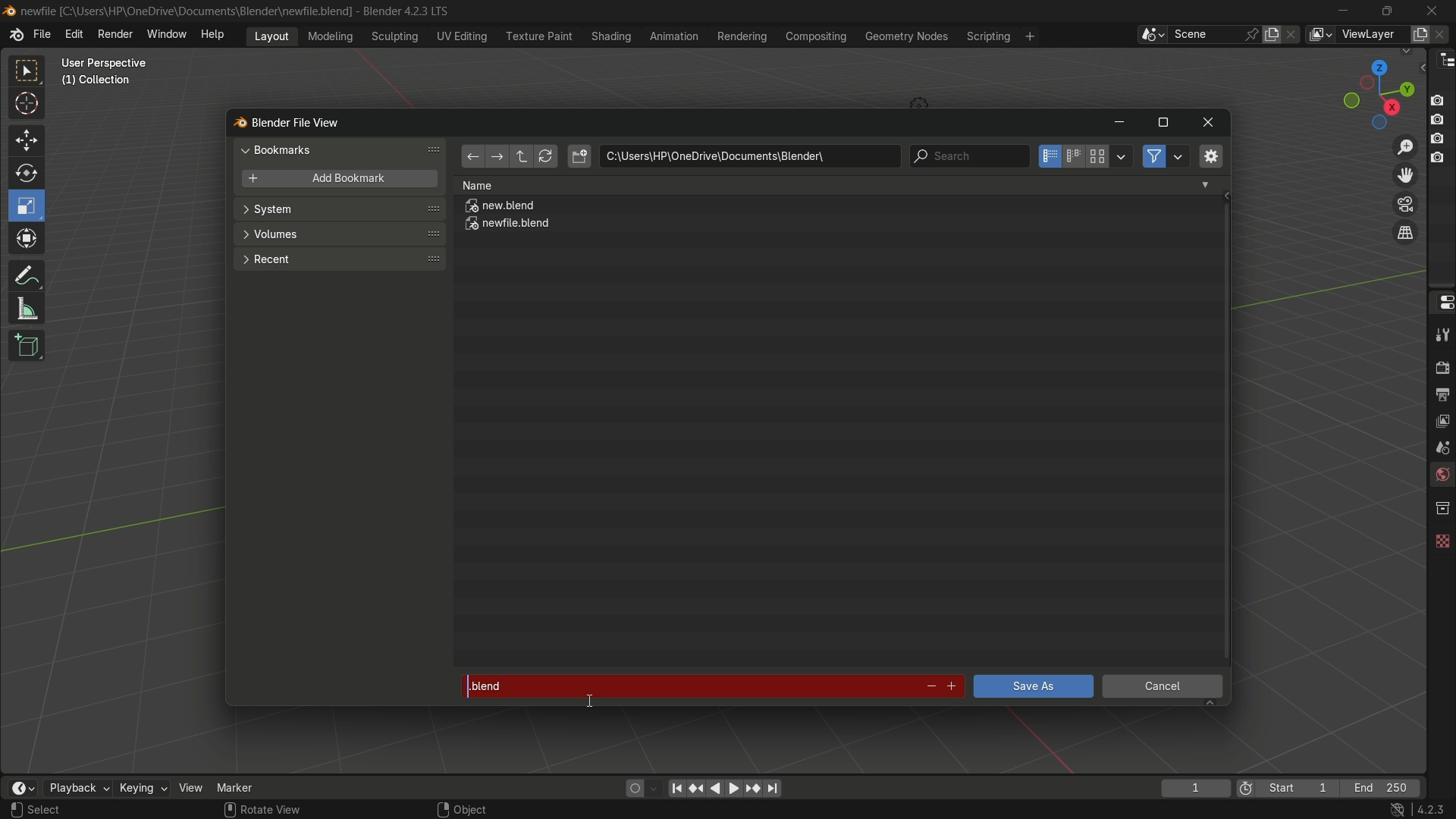  I want to click on bookmarks, so click(343, 149).